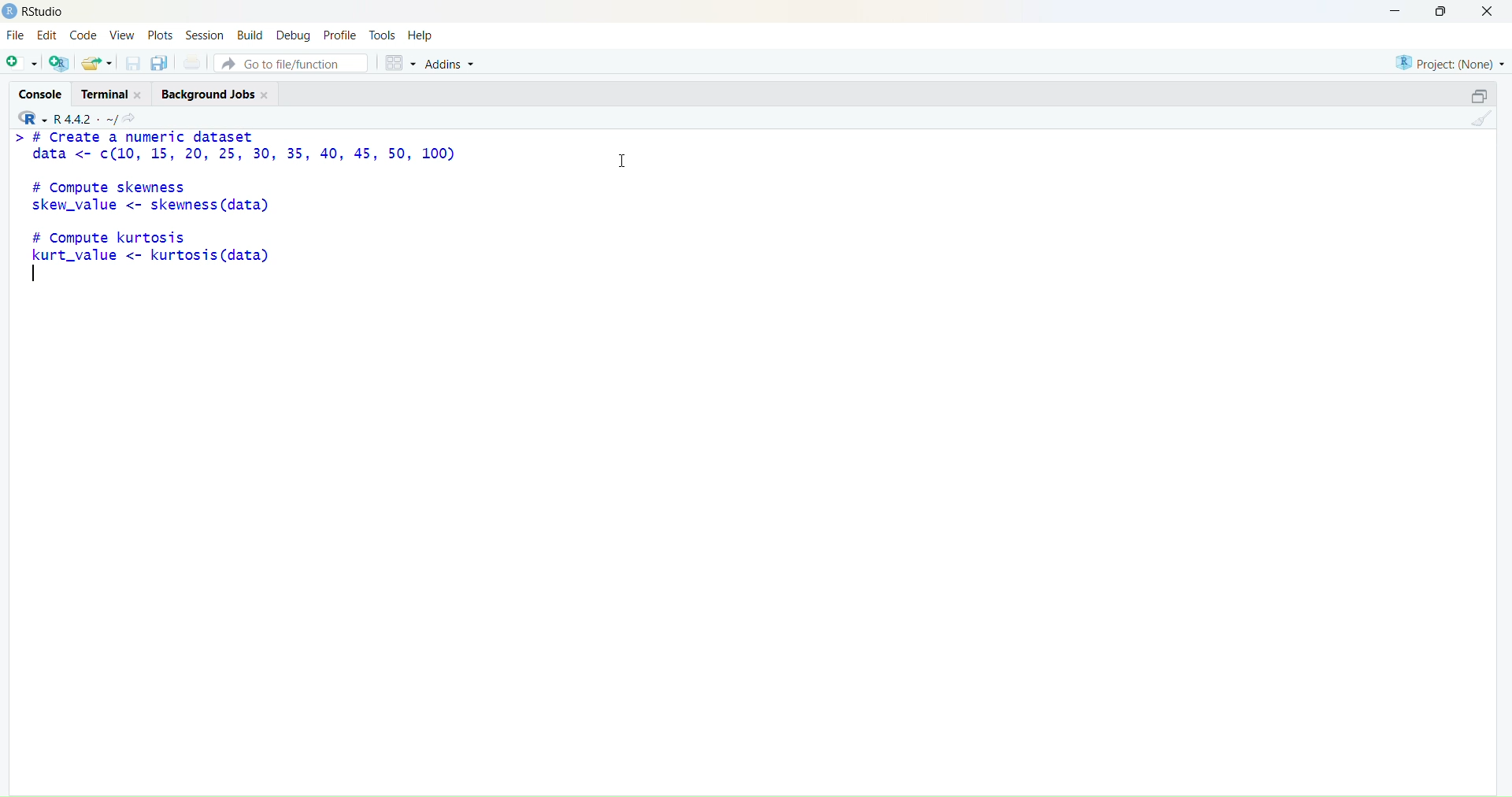 This screenshot has height=797, width=1512. Describe the element at coordinates (245, 206) in the screenshot. I see `data <- c(10, 15, 20, 25, 30, 35, 40, 45, 50, 100) # Compute skewness skew_value <- skewness (data)# Compute kurtosiskurt_value <- kurtosis(data)|` at that location.